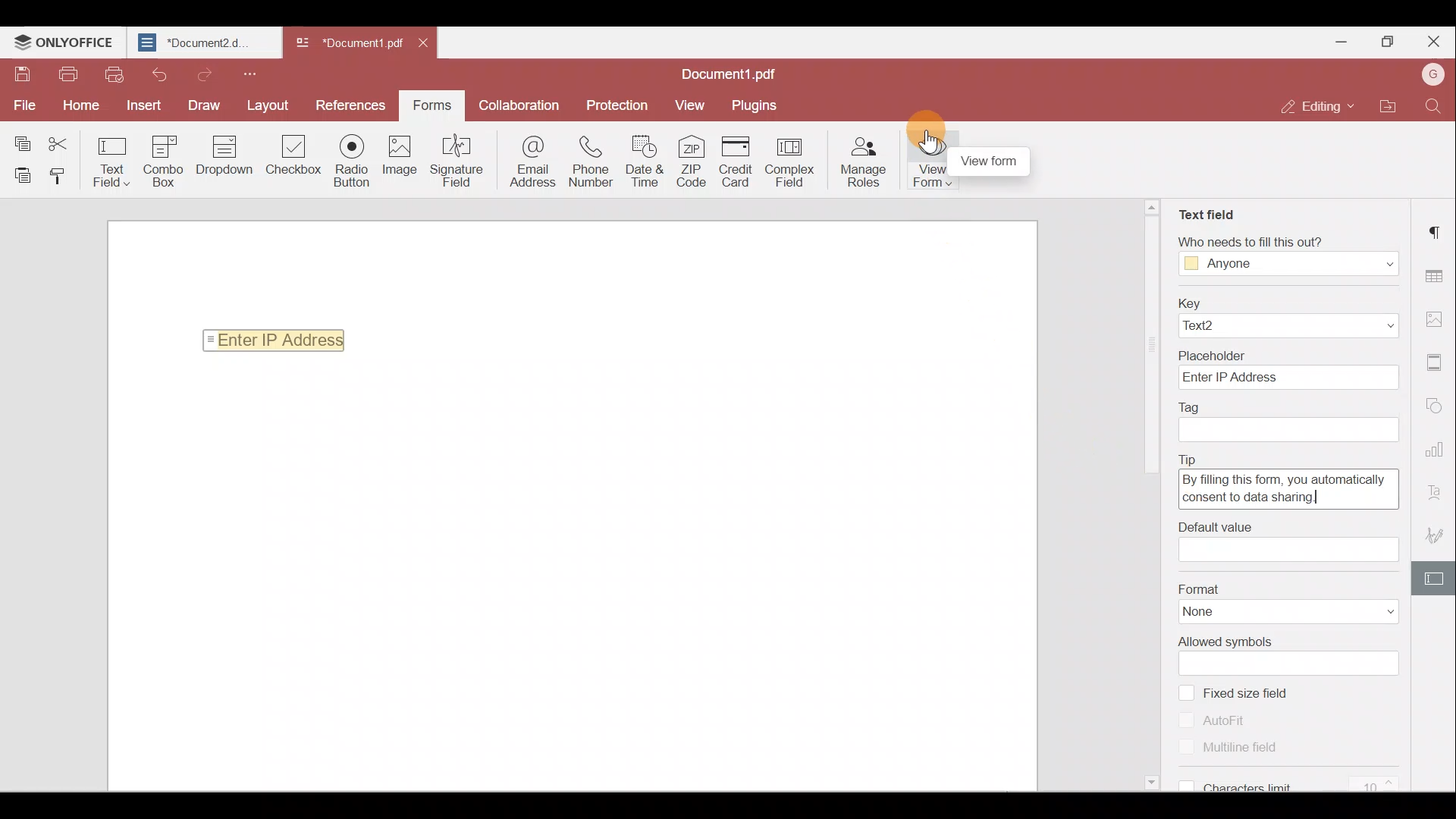 The image size is (1456, 819). Describe the element at coordinates (431, 103) in the screenshot. I see `Form` at that location.